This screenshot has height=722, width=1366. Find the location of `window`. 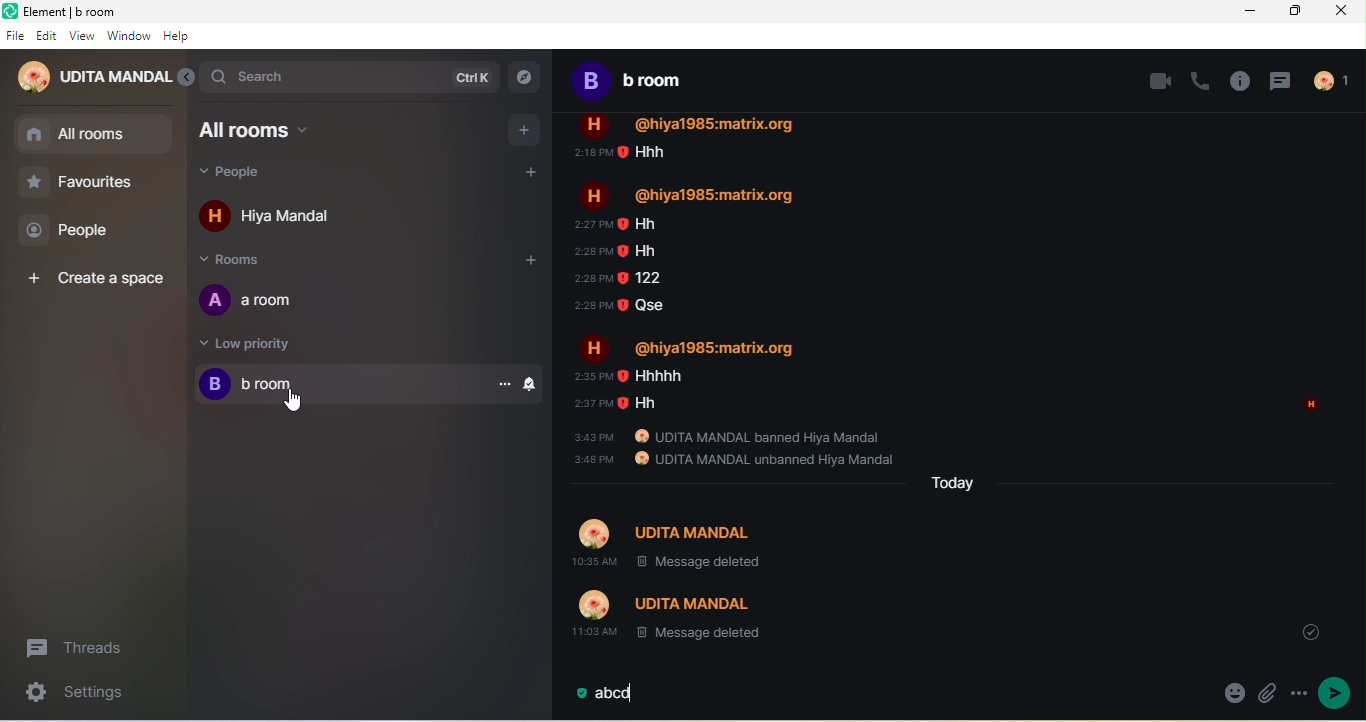

window is located at coordinates (129, 37).